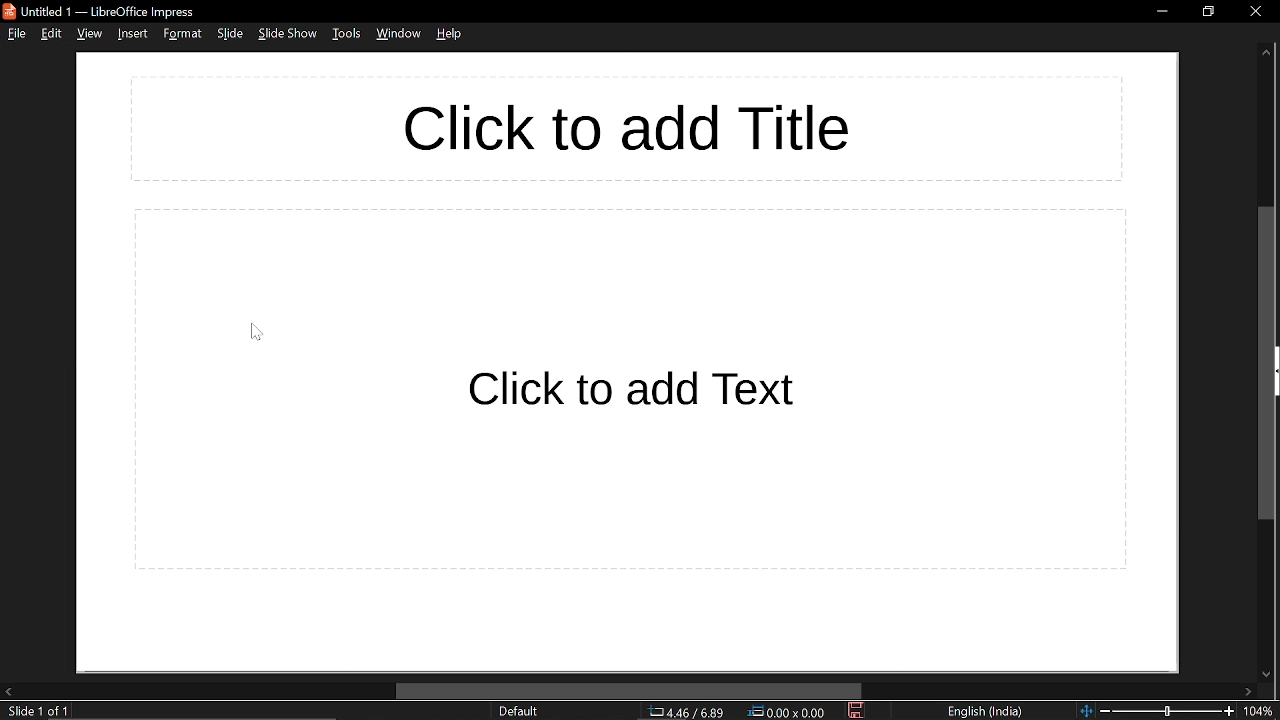 Image resolution: width=1280 pixels, height=720 pixels. I want to click on view, so click(92, 33).